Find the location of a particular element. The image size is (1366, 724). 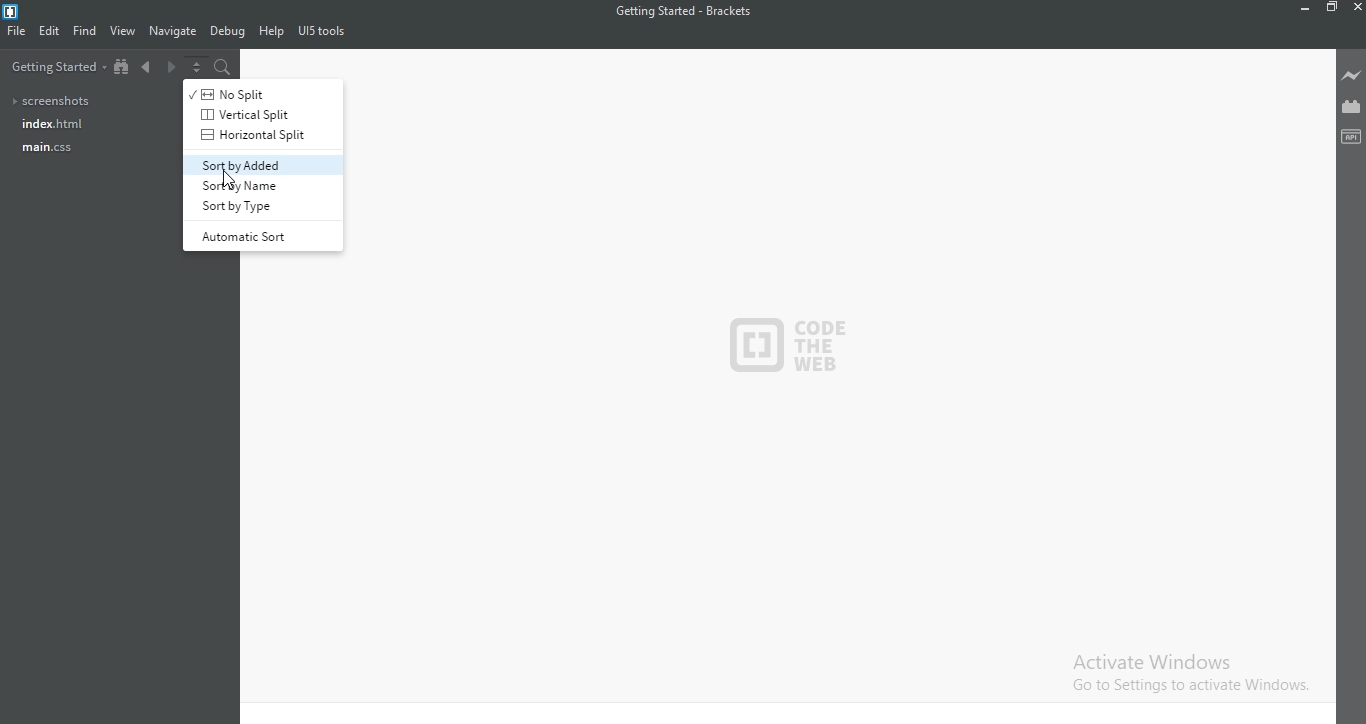

Close is located at coordinates (1356, 7).